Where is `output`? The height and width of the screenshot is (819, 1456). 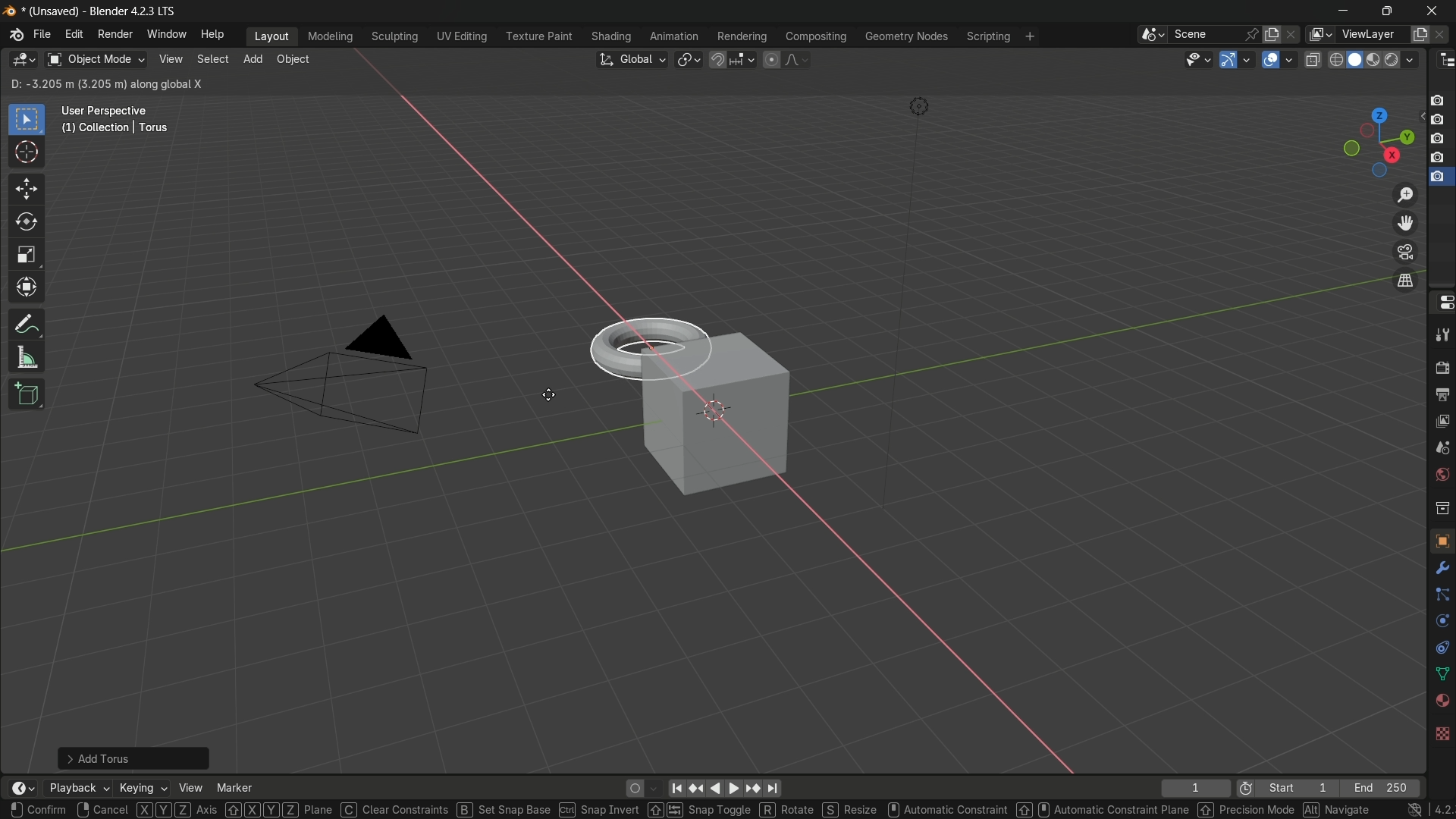 output is located at coordinates (1440, 395).